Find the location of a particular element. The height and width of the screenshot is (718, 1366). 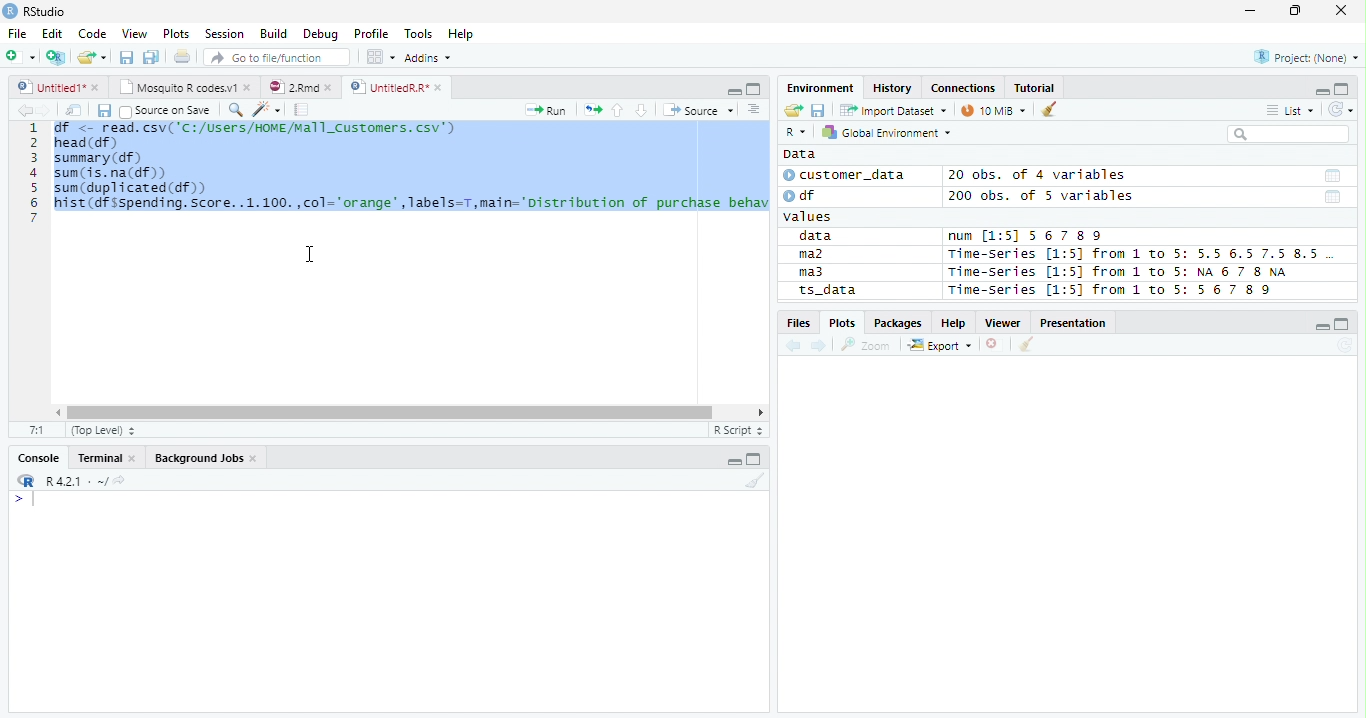

Console is located at coordinates (39, 456).